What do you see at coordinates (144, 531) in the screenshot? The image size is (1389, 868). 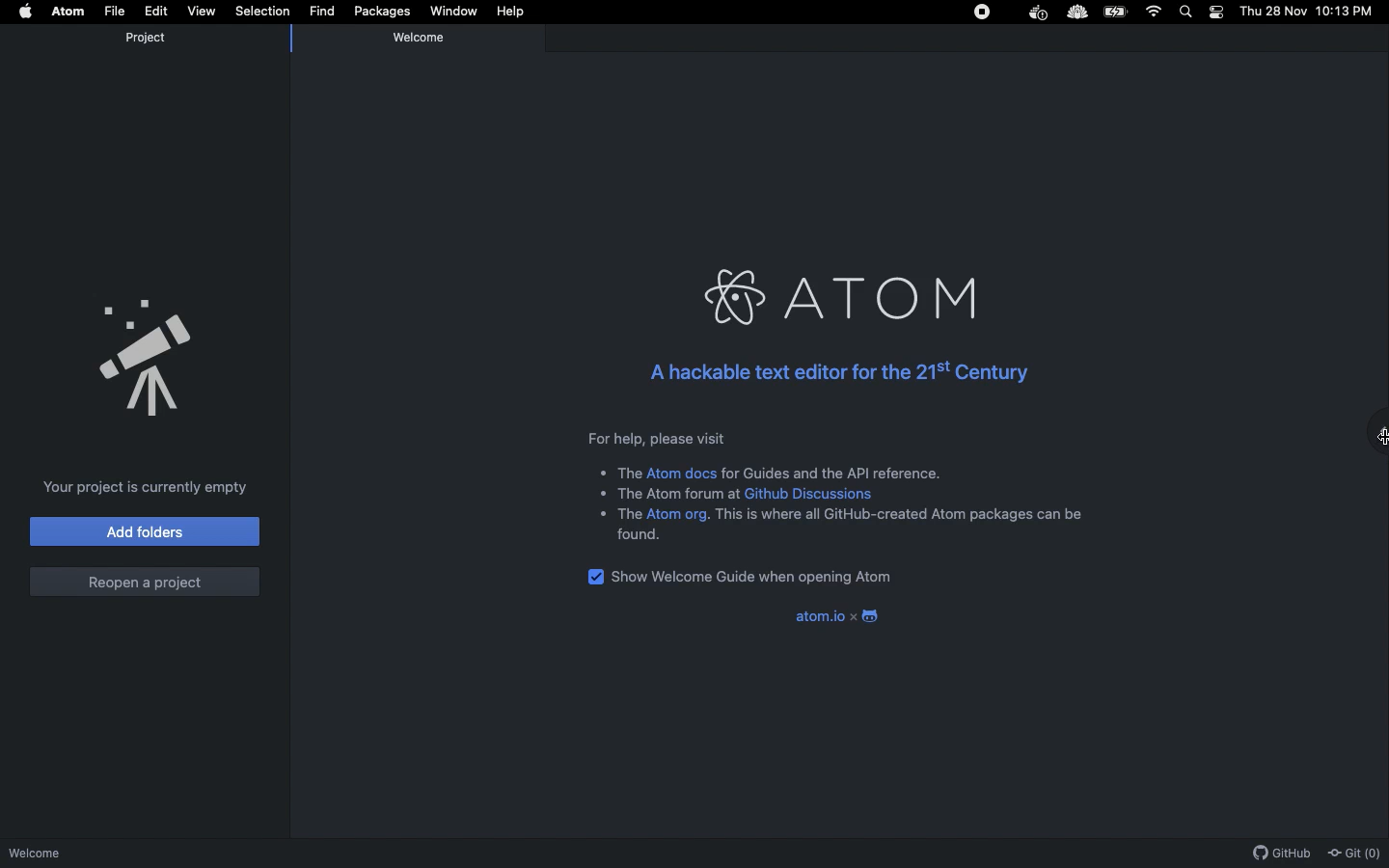 I see `Add folders` at bounding box center [144, 531].